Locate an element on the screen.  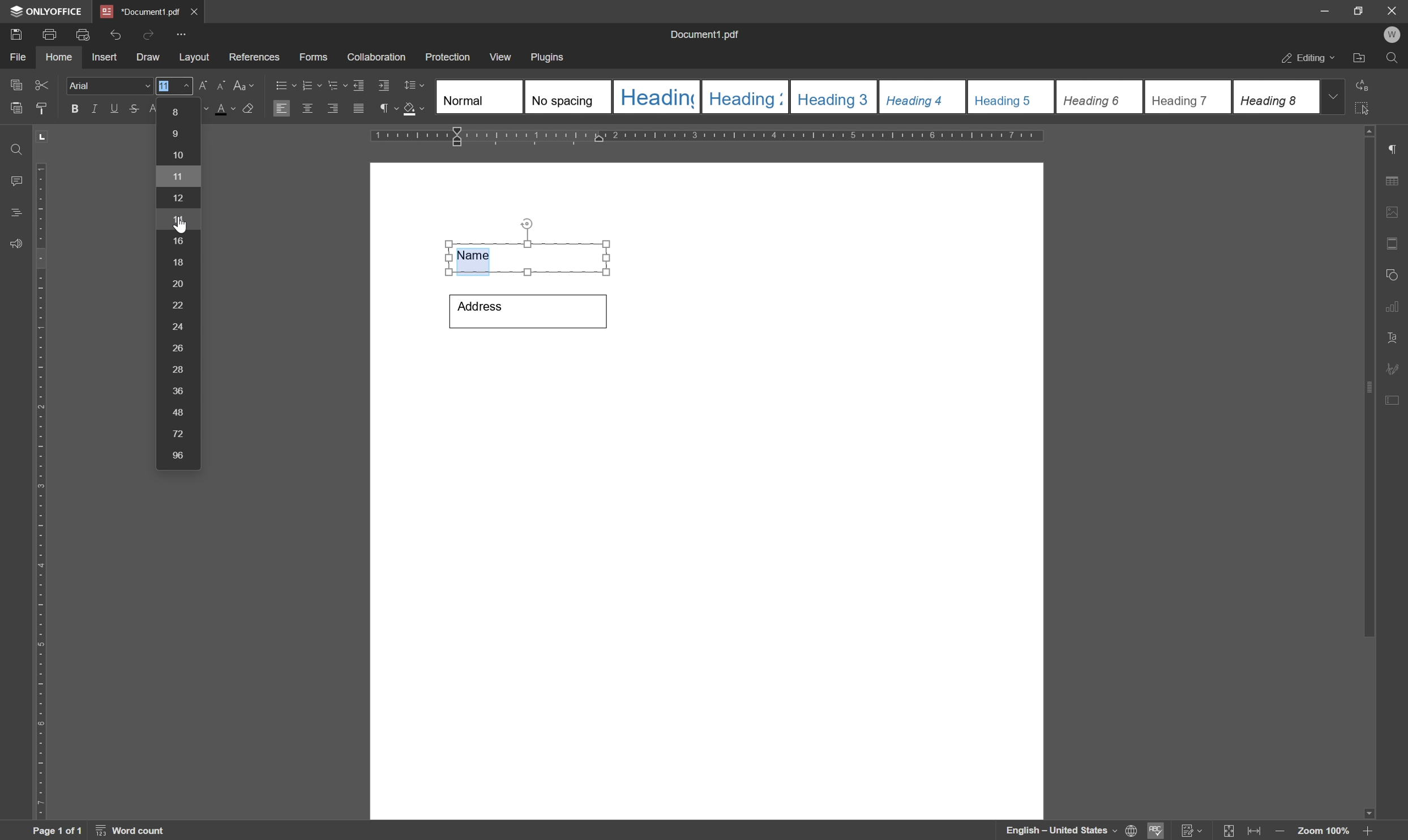
scroll bar is located at coordinates (1370, 380).